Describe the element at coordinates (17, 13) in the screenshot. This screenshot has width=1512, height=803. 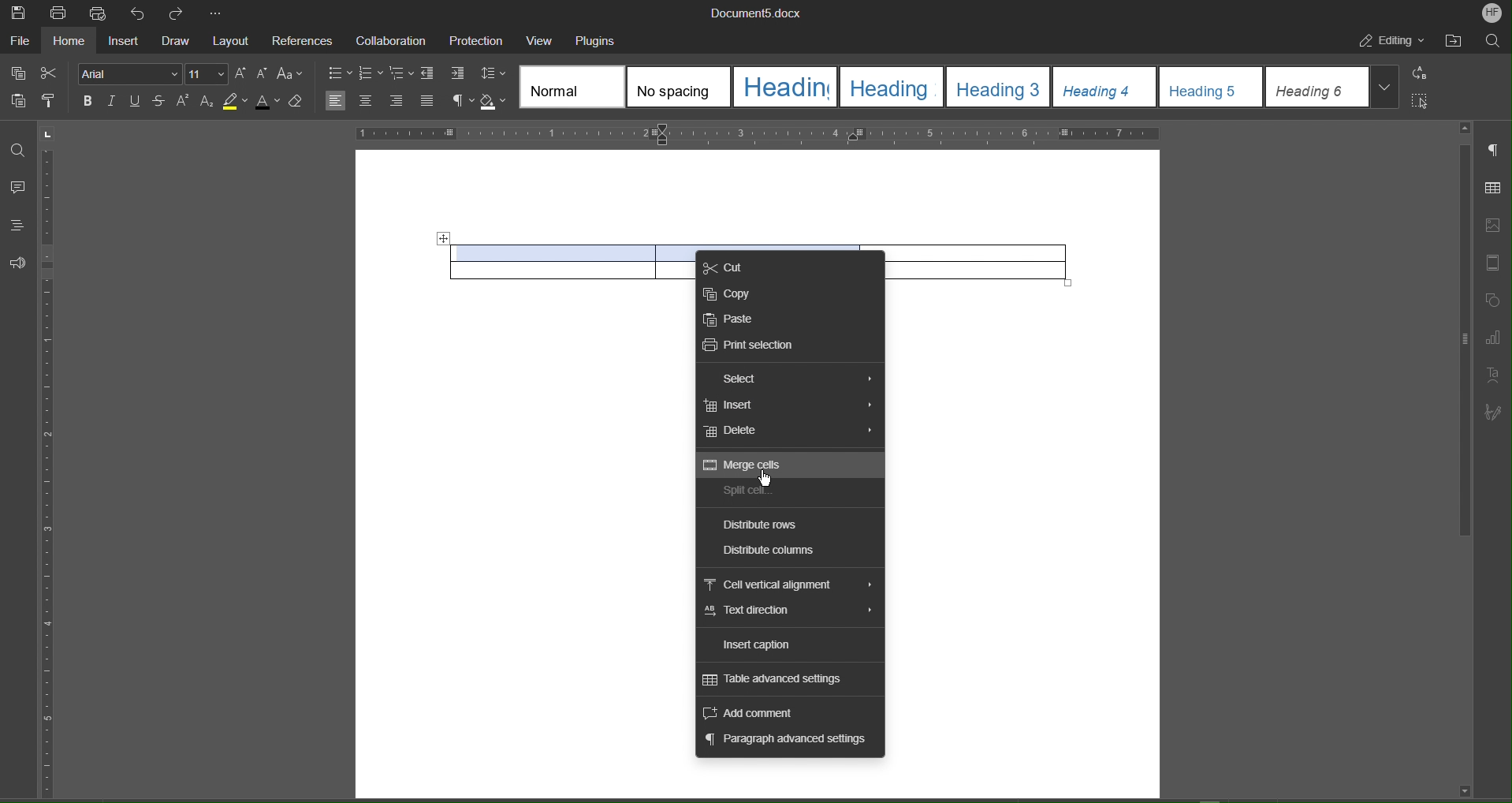
I see `Save` at that location.